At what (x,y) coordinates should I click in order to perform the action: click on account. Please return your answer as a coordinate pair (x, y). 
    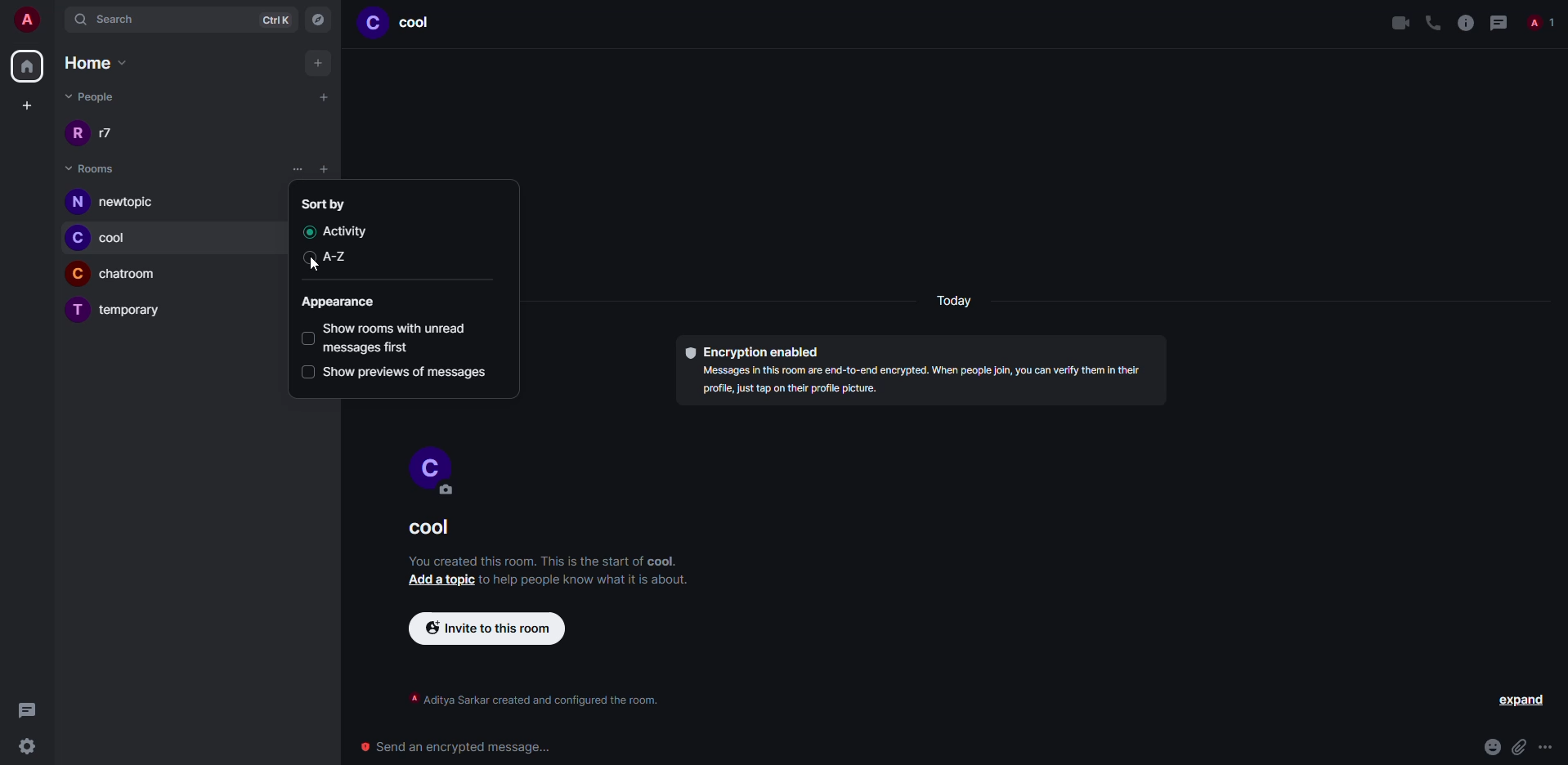
    Looking at the image, I should click on (32, 20).